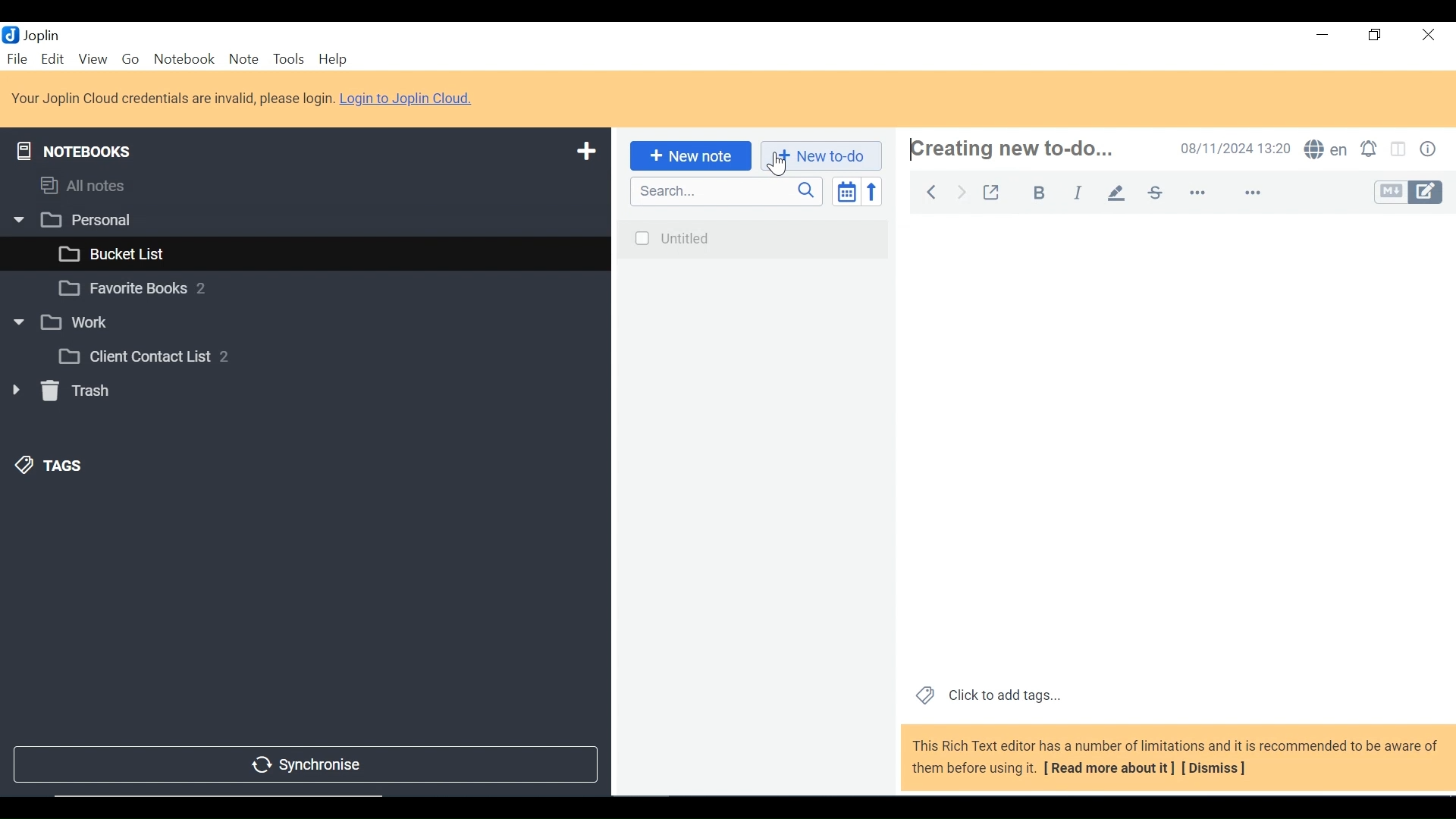 Image resolution: width=1456 pixels, height=819 pixels. I want to click on More, so click(1223, 193).